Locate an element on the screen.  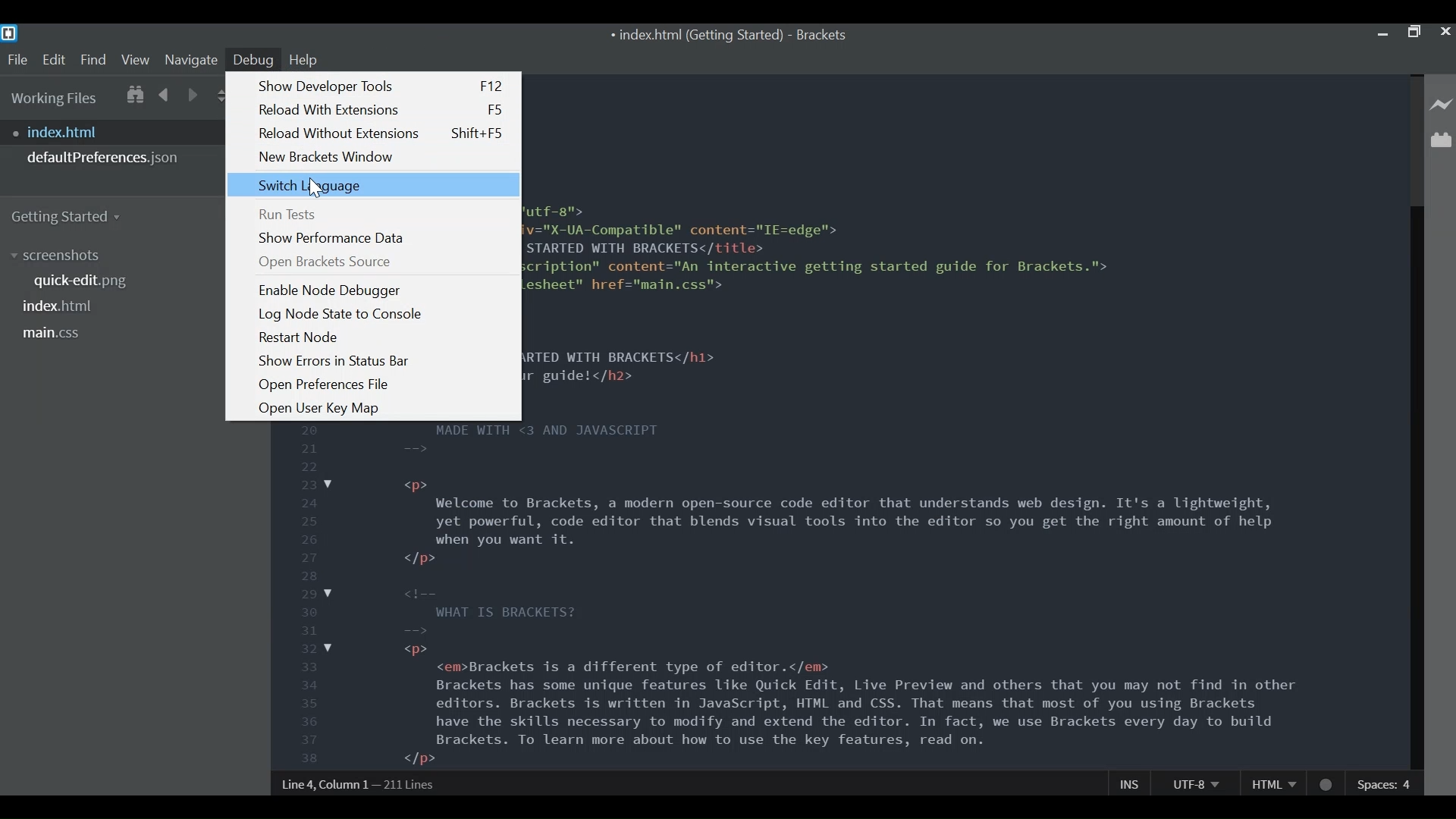
Open Preference File is located at coordinates (329, 385).